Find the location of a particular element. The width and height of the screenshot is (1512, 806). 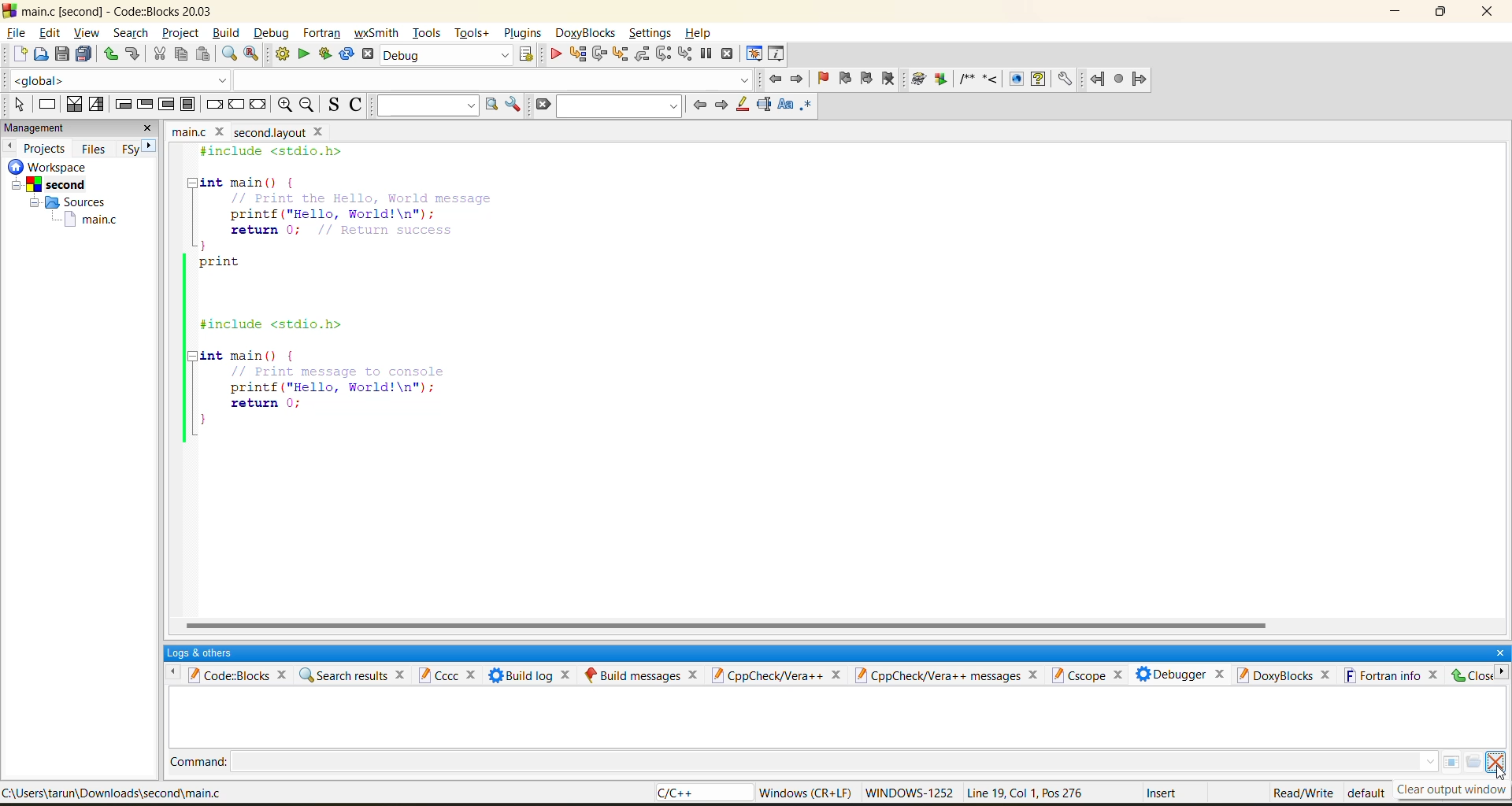

build is located at coordinates (282, 53).